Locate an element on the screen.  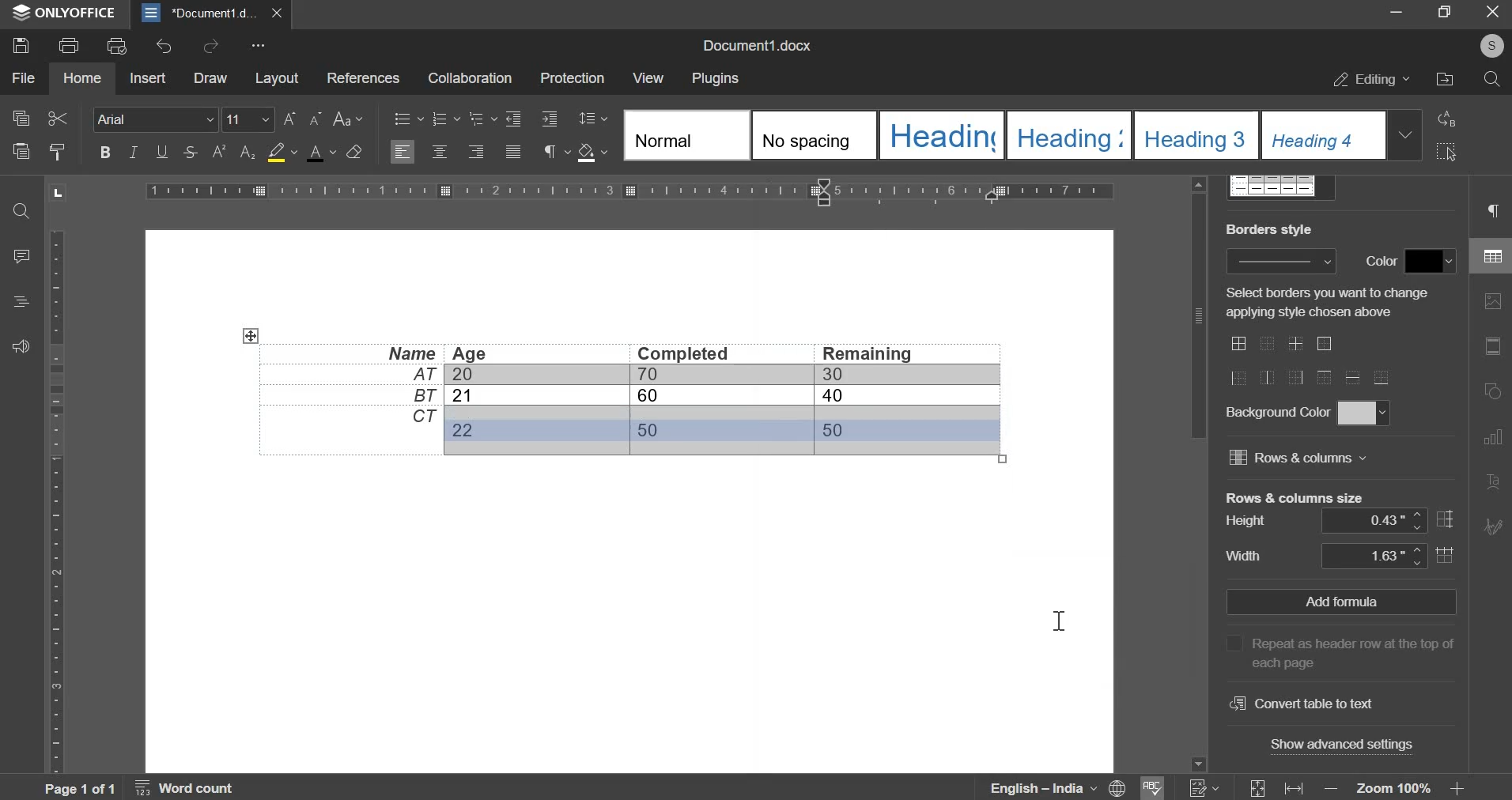
border color is located at coordinates (1434, 259).